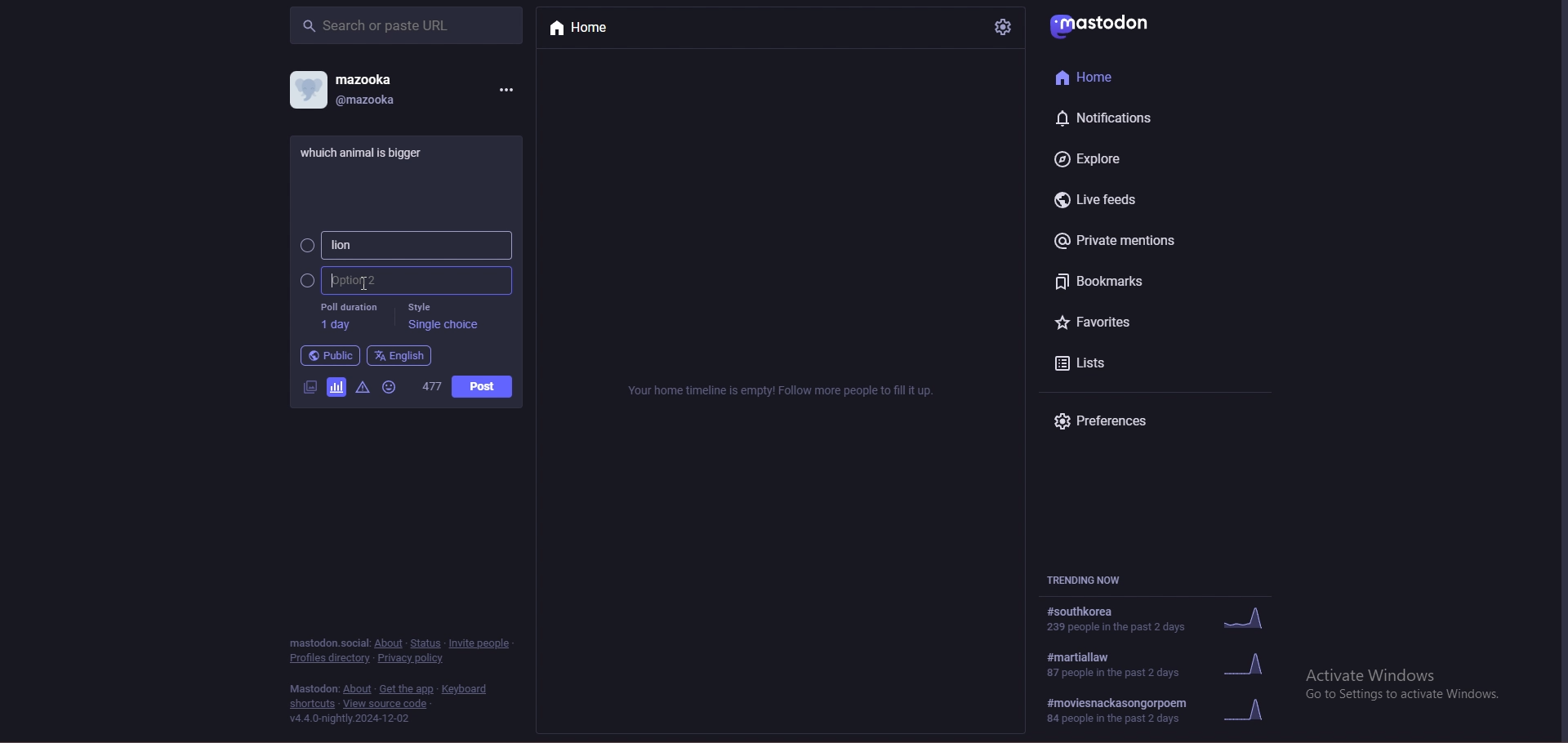  Describe the element at coordinates (406, 689) in the screenshot. I see `get the app` at that location.